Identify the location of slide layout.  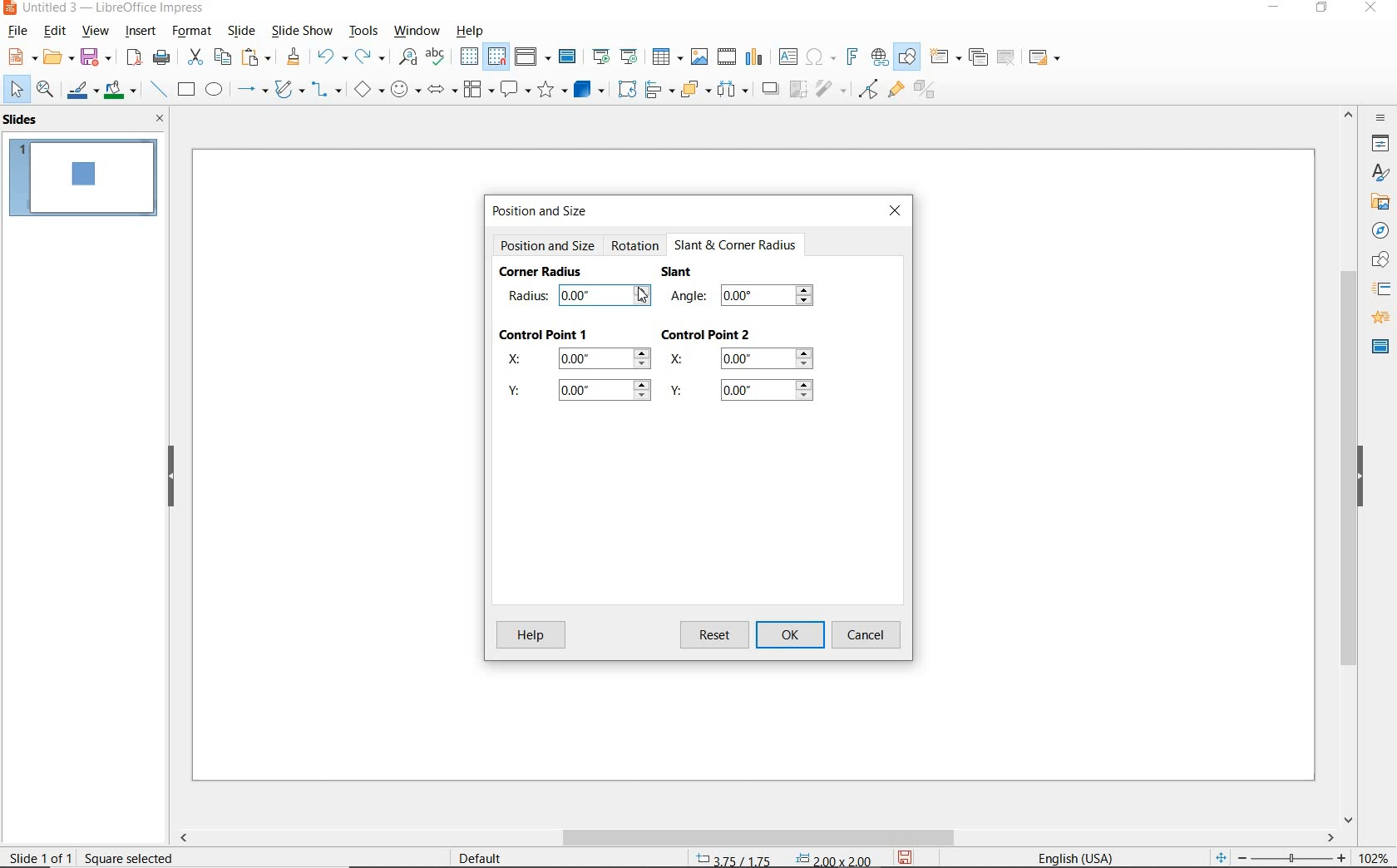
(1044, 57).